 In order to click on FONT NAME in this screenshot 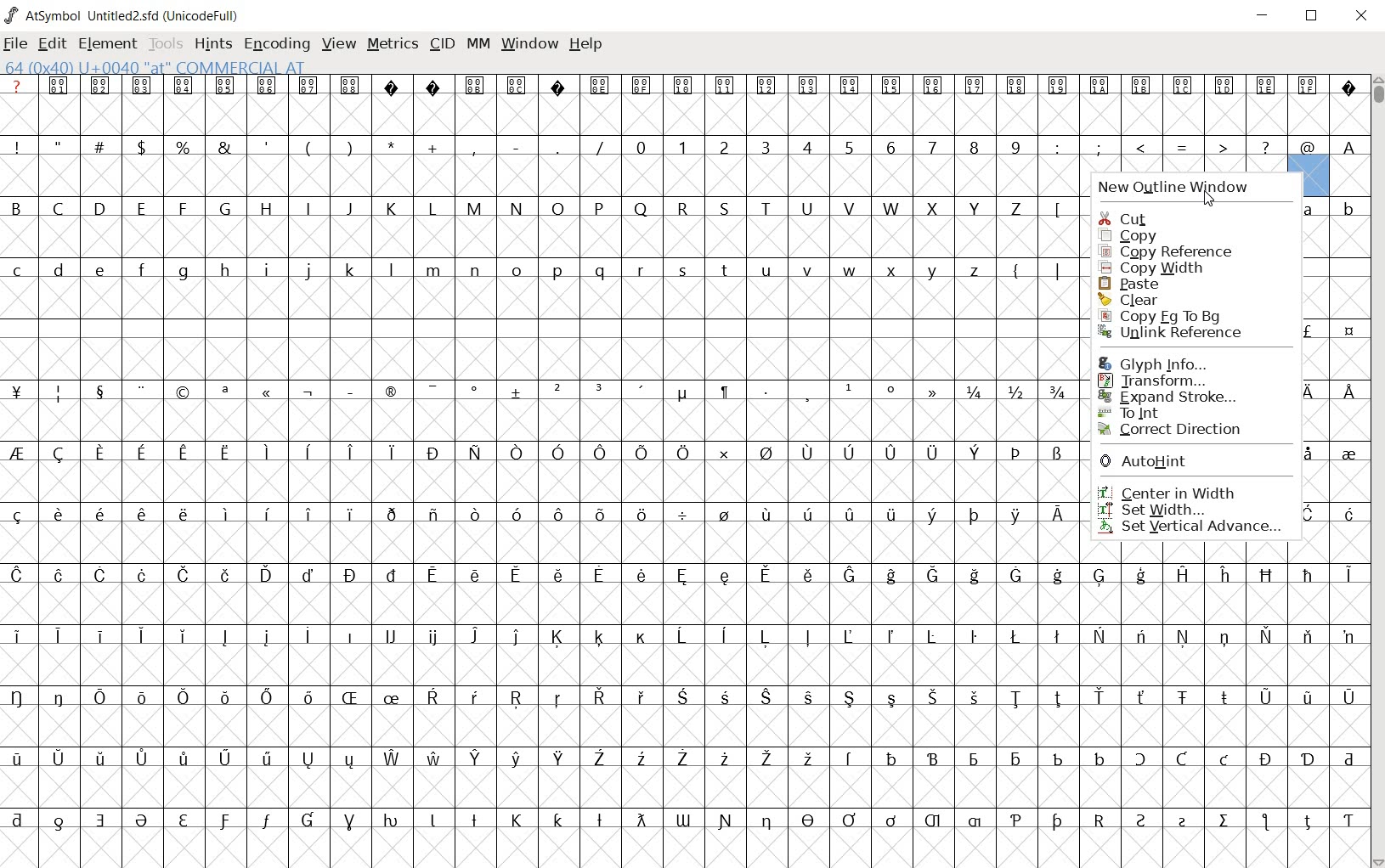, I will do `click(124, 15)`.